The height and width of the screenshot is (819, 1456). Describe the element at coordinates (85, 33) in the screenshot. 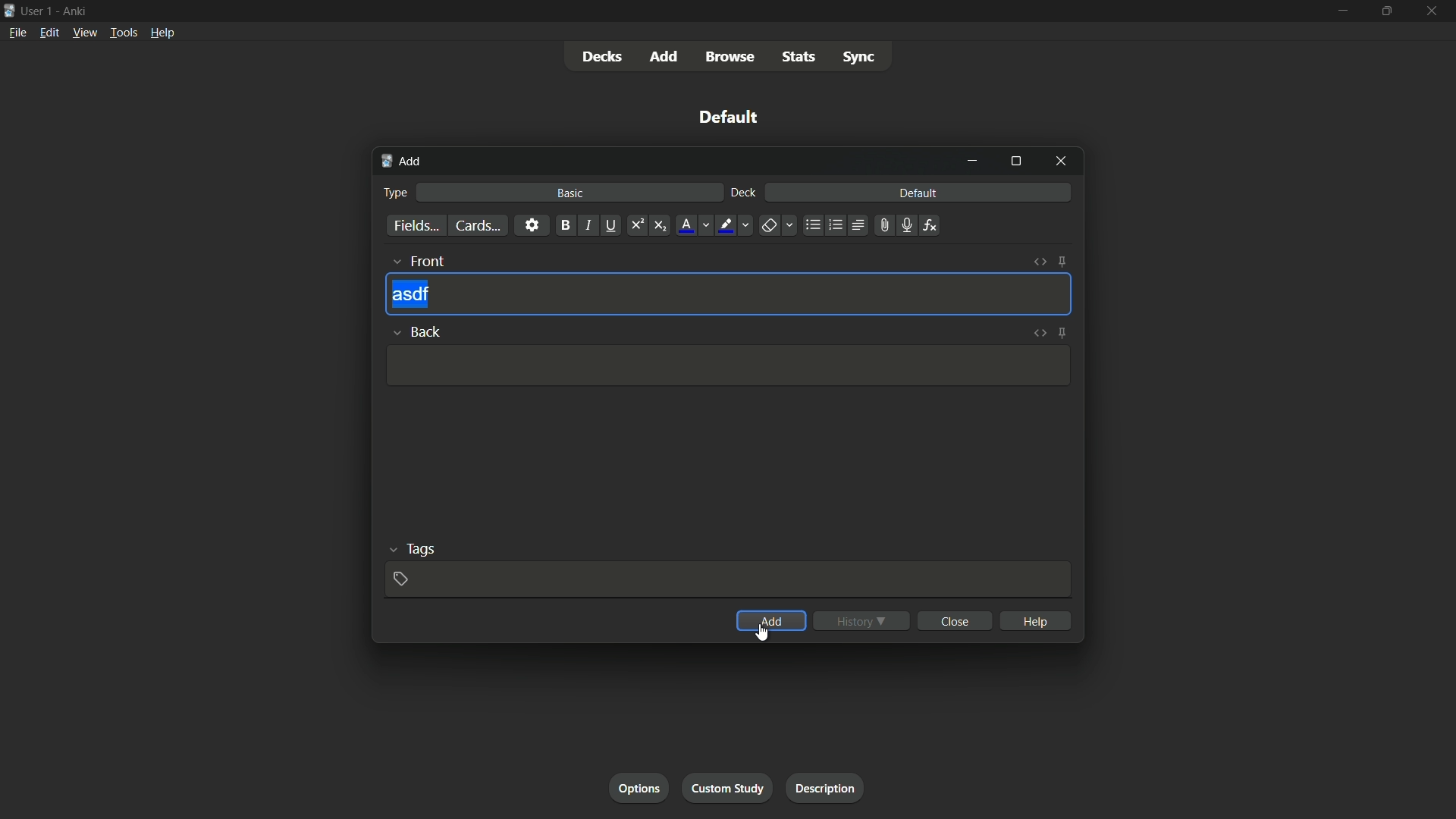

I see `view` at that location.